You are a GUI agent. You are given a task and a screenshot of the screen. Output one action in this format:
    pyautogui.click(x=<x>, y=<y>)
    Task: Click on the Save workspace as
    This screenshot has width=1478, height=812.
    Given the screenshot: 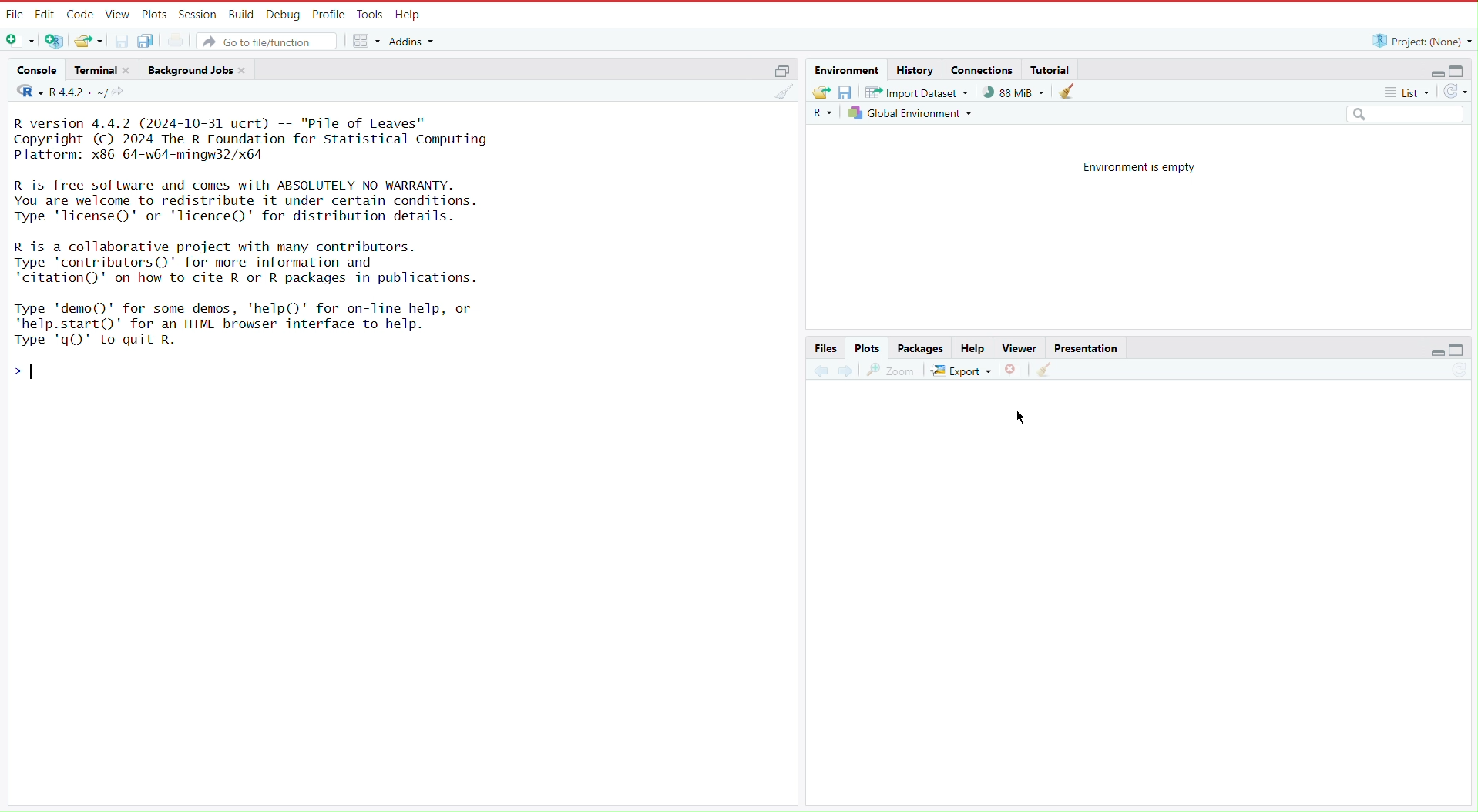 What is the action you would take?
    pyautogui.click(x=848, y=92)
    